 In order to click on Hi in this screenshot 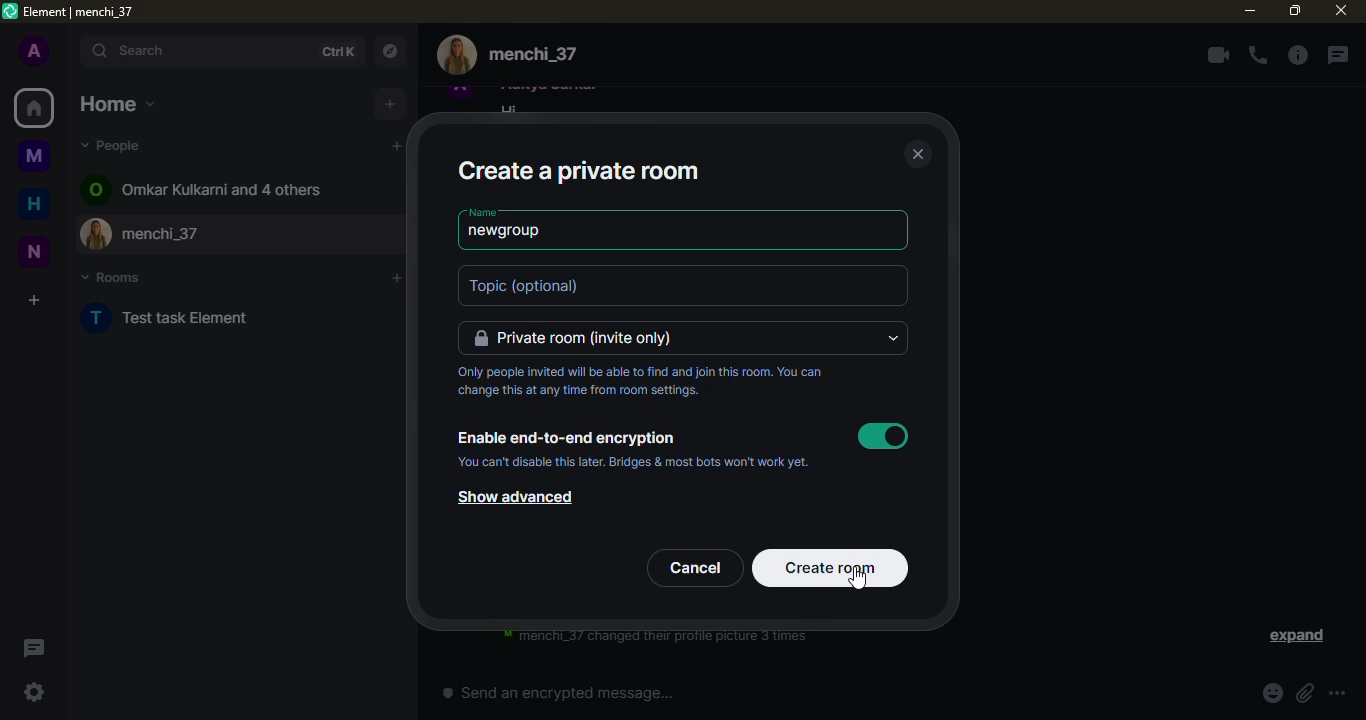, I will do `click(509, 108)`.